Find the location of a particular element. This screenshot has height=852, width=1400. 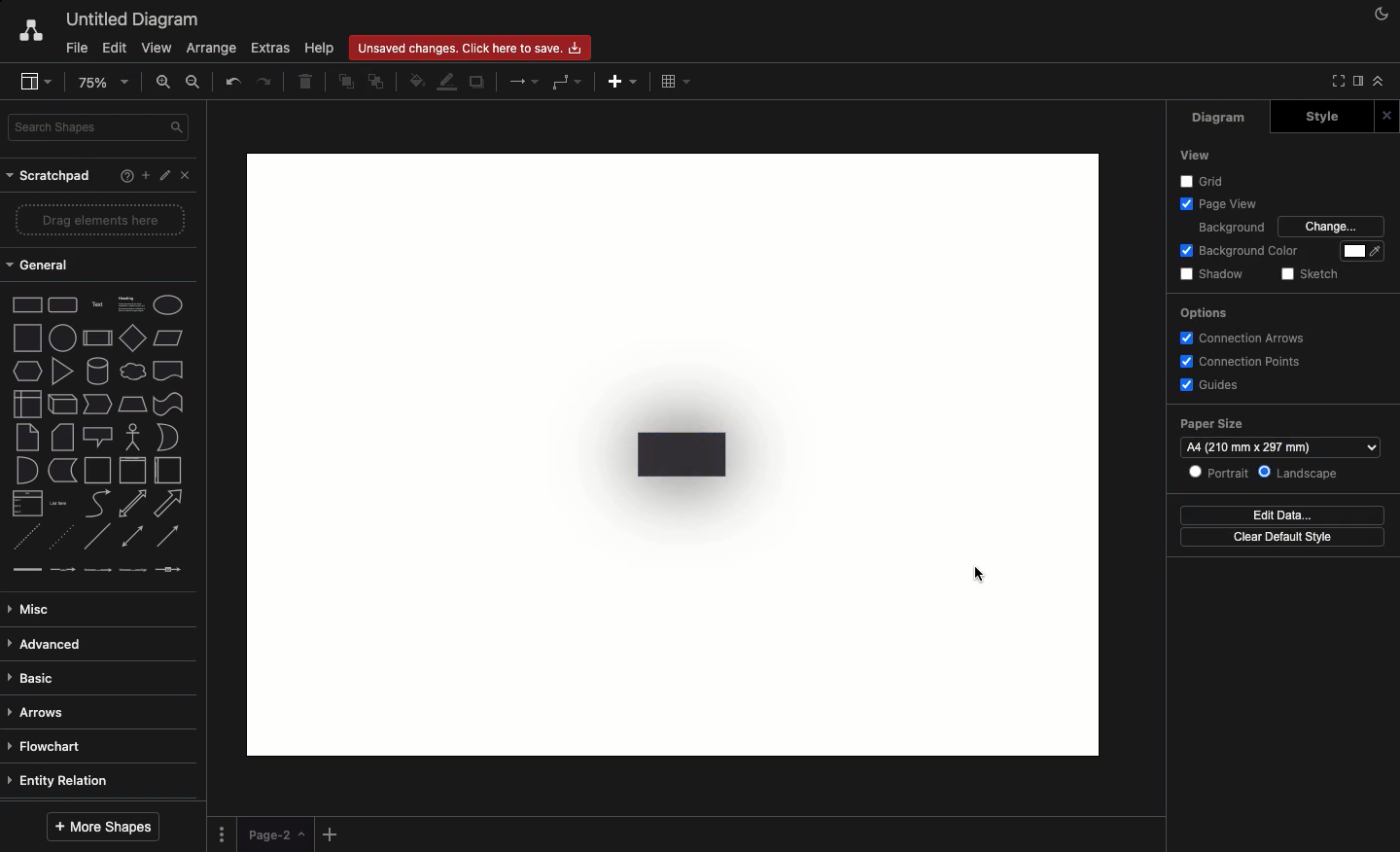

connector with 2 labels is located at coordinates (97, 571).